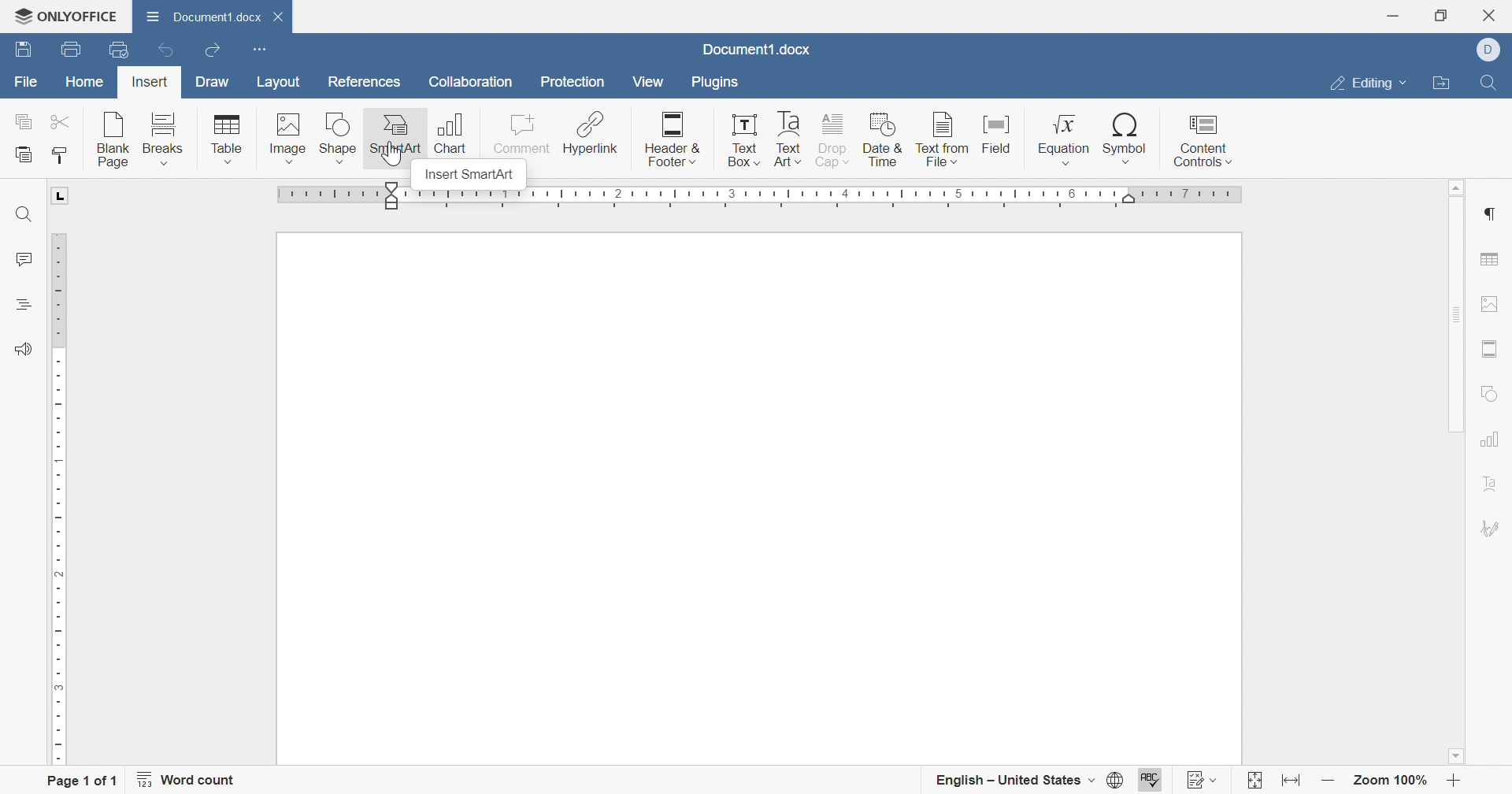 The width and height of the screenshot is (1512, 794). Describe the element at coordinates (282, 15) in the screenshot. I see `Close` at that location.